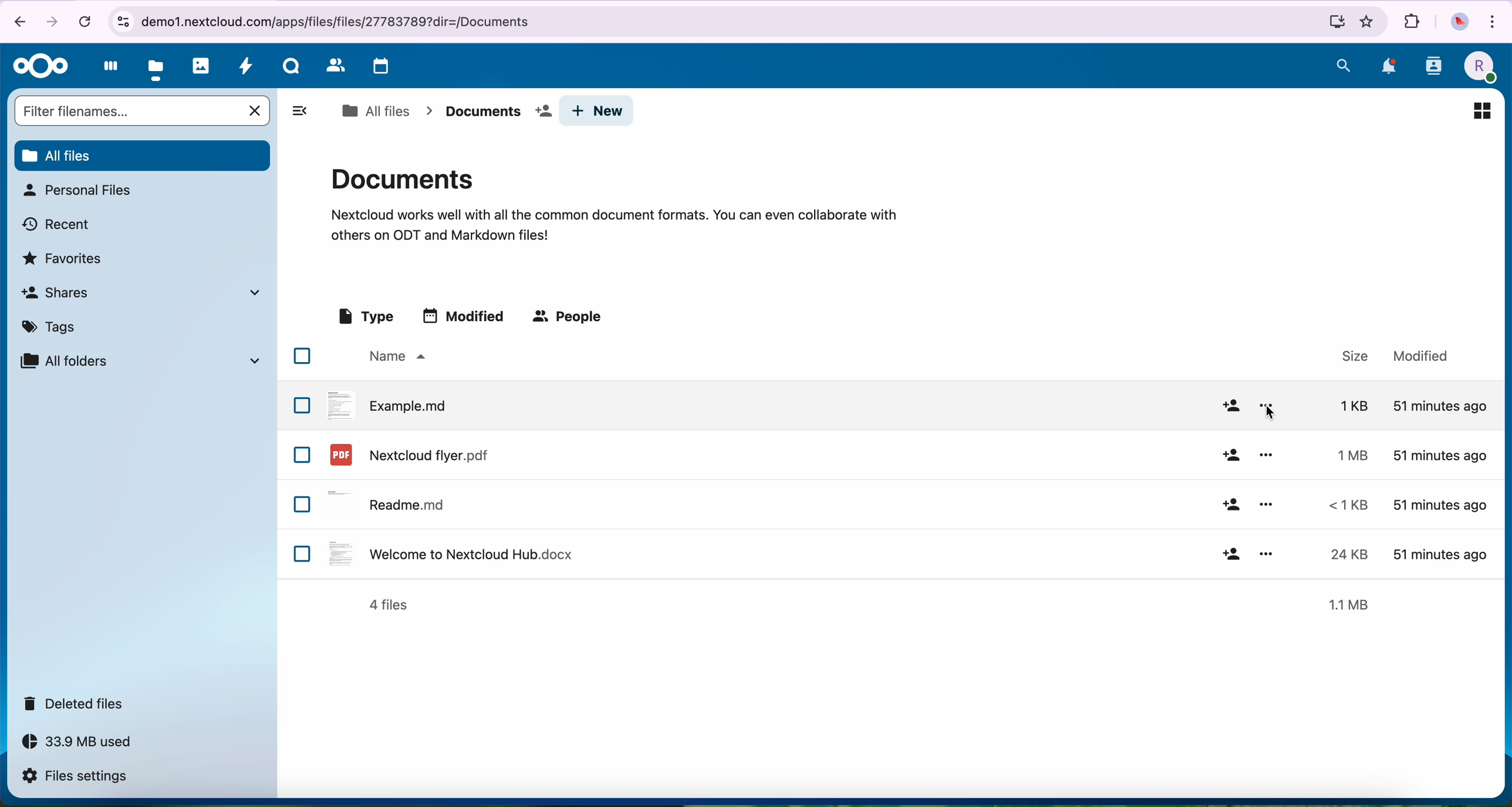 The image size is (1512, 807). Describe the element at coordinates (1458, 22) in the screenshot. I see `profile picture` at that location.